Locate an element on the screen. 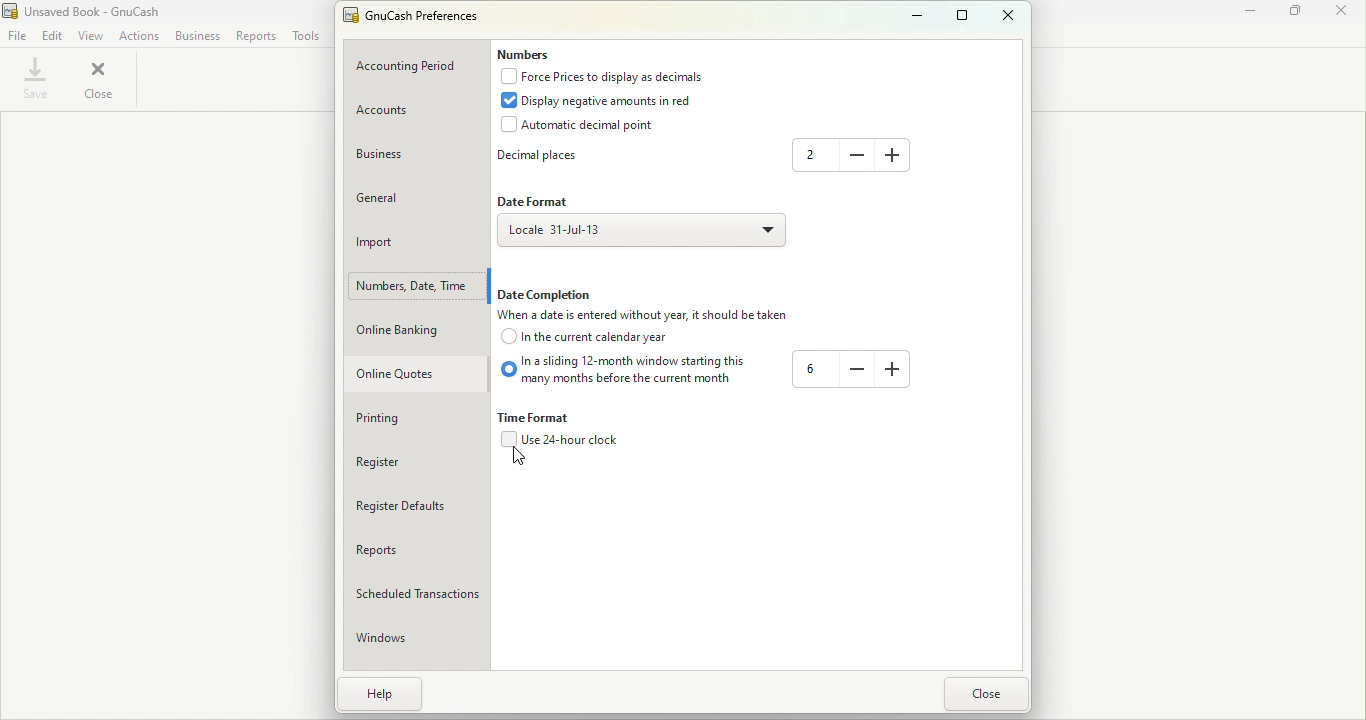 The height and width of the screenshot is (720, 1366). Save is located at coordinates (34, 78).